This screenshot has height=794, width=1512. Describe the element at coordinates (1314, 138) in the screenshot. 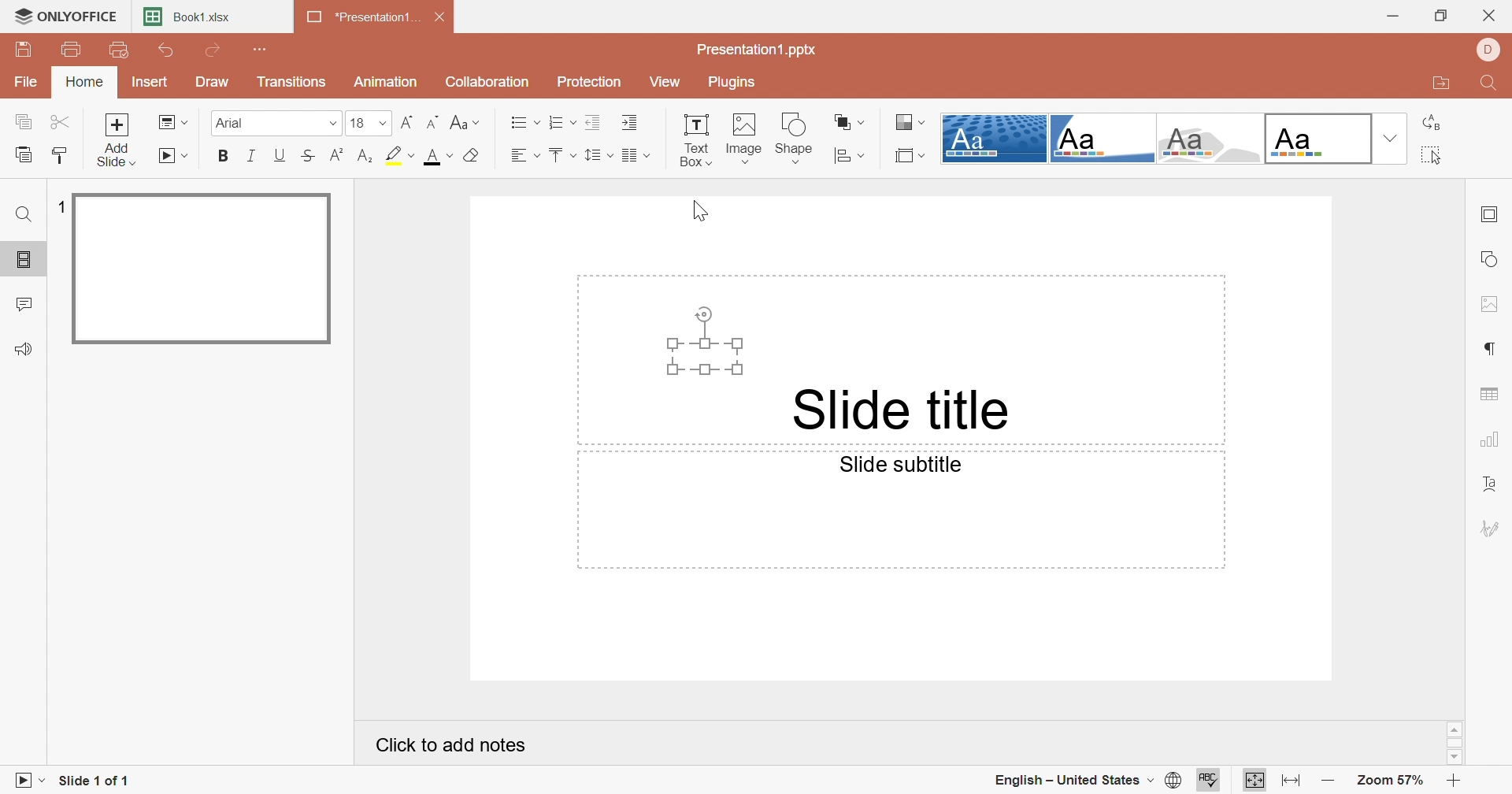

I see `Office theme` at that location.